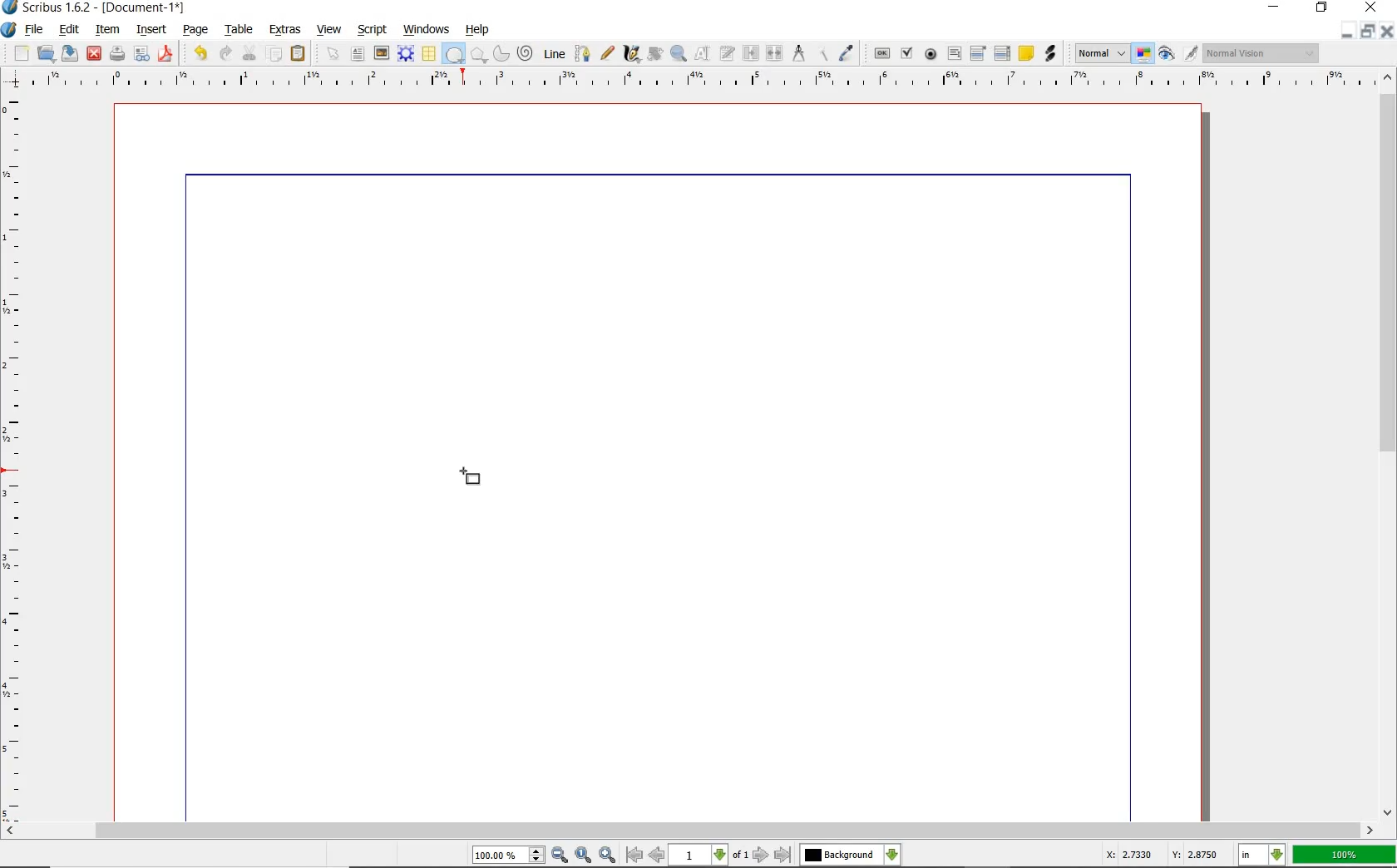  What do you see at coordinates (906, 52) in the screenshot?
I see `PDF CHECK BOX` at bounding box center [906, 52].